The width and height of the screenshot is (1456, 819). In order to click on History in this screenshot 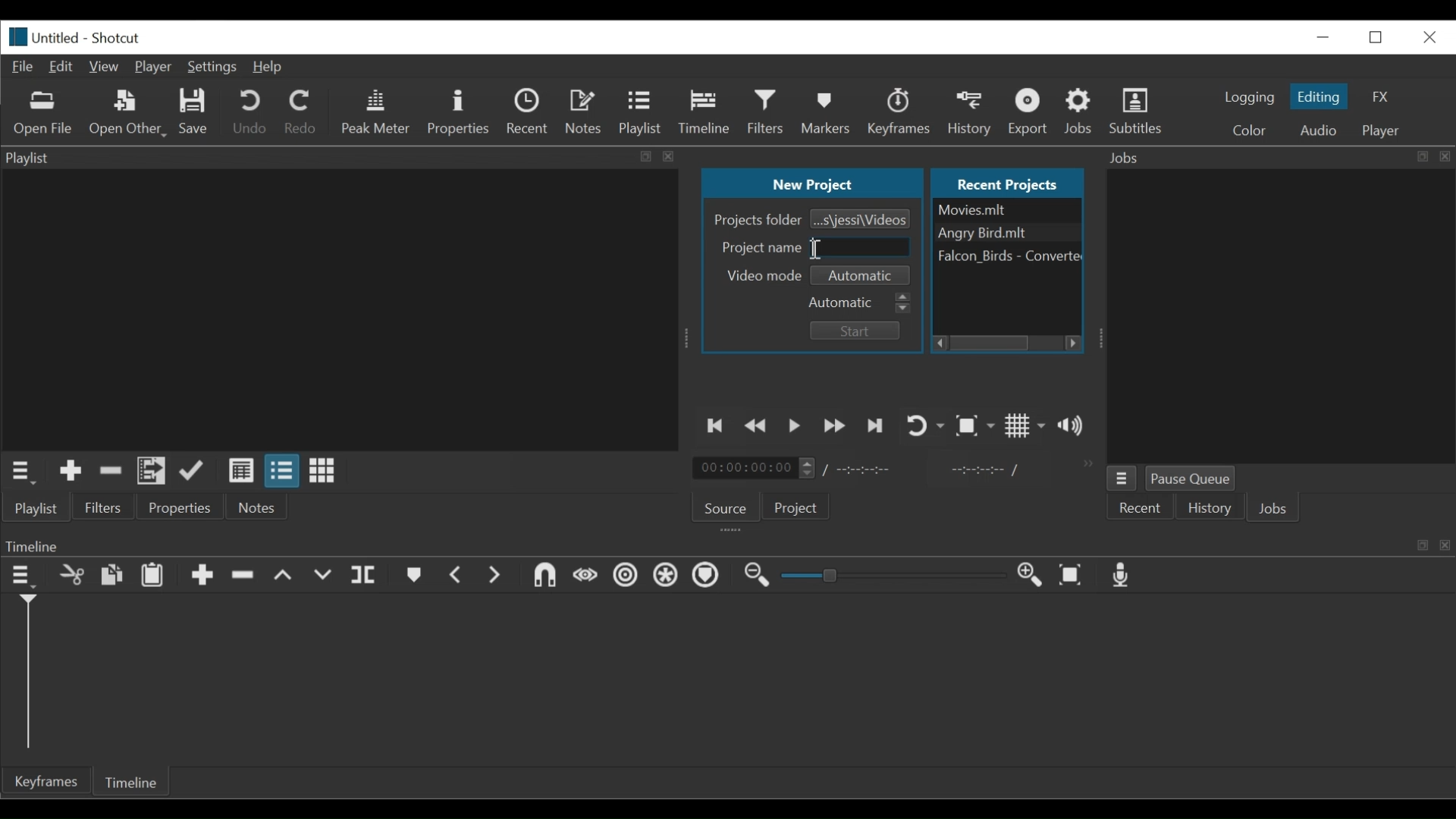, I will do `click(1209, 507)`.